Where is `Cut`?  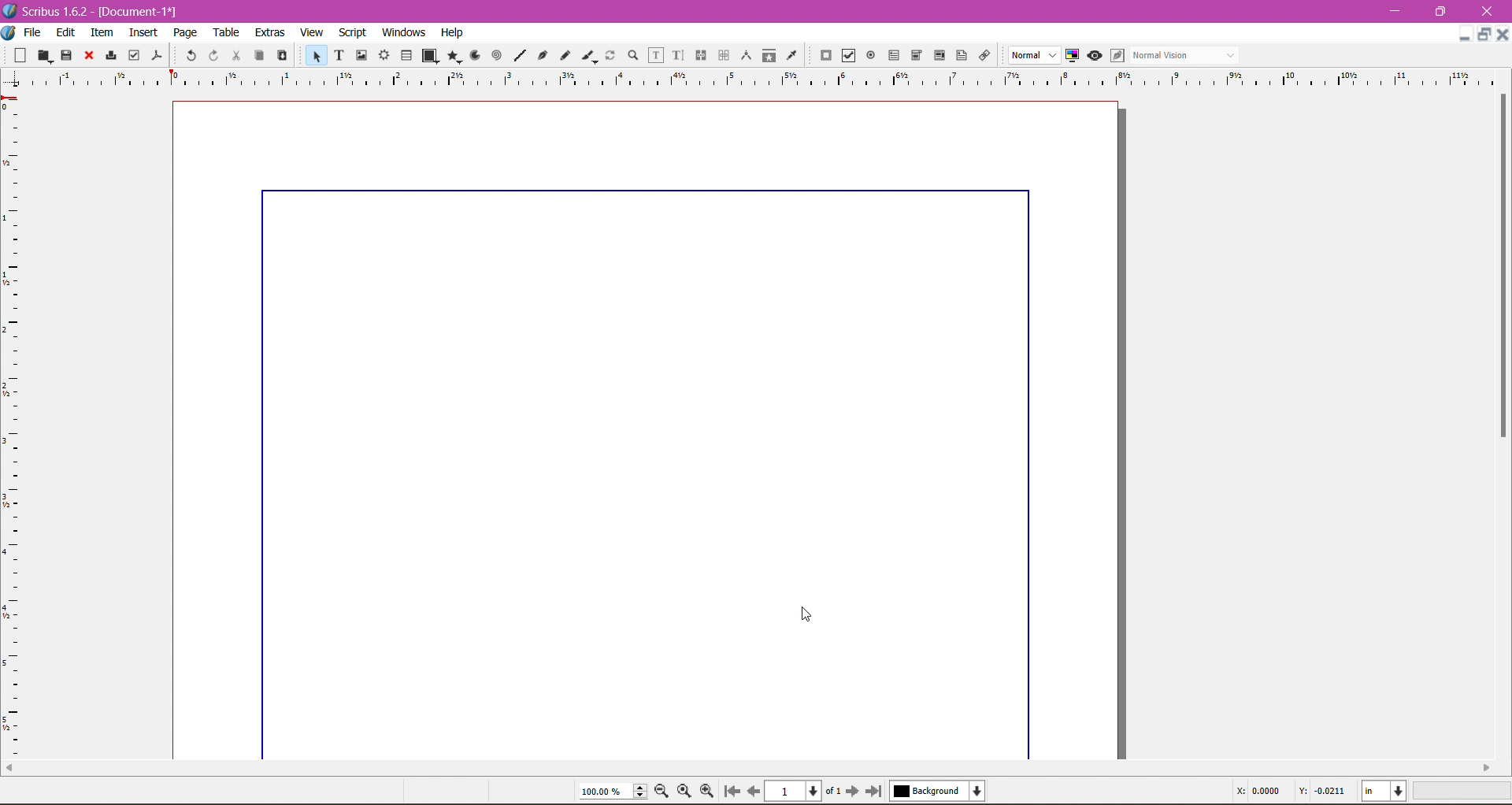 Cut is located at coordinates (235, 56).